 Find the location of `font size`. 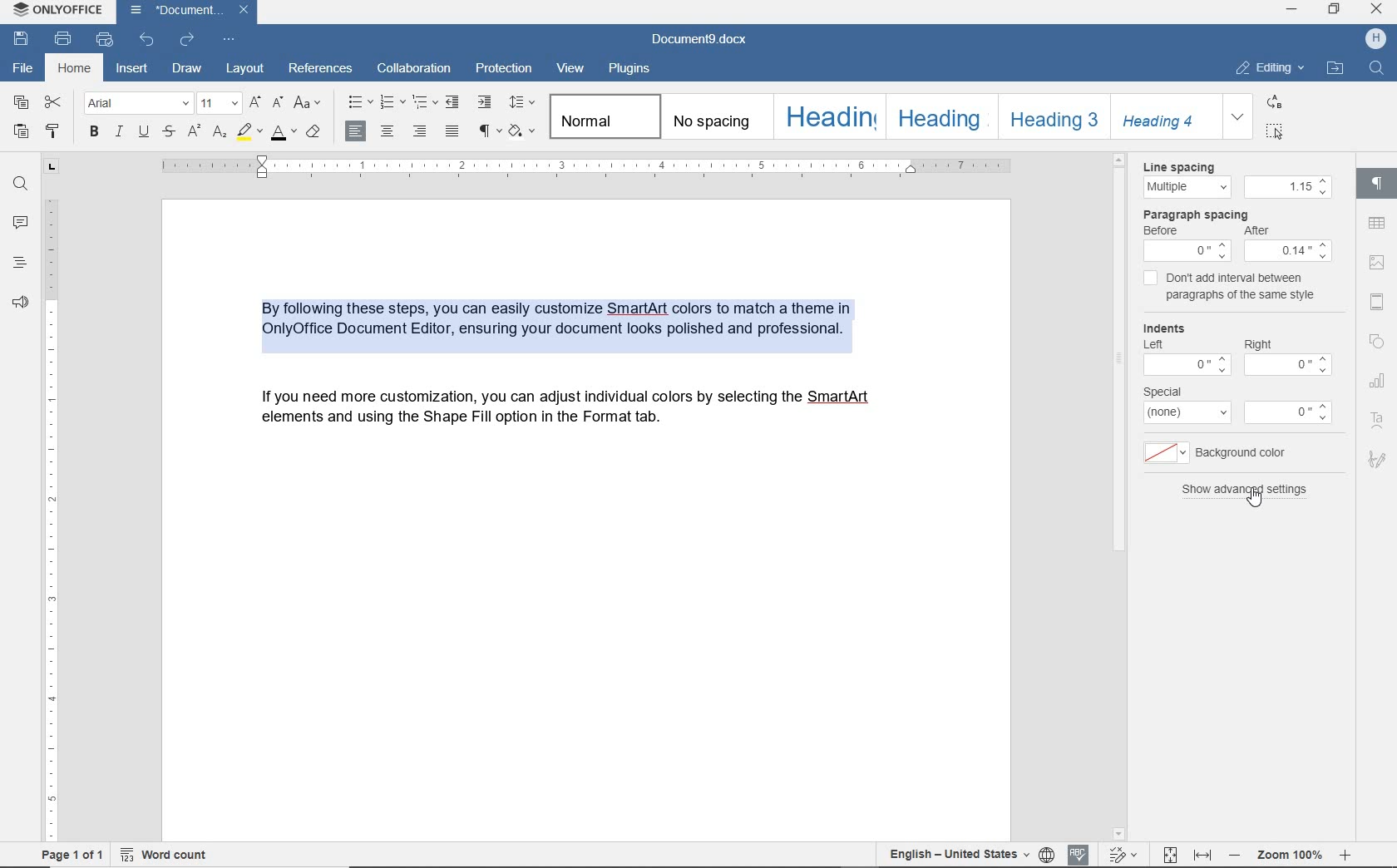

font size is located at coordinates (220, 101).